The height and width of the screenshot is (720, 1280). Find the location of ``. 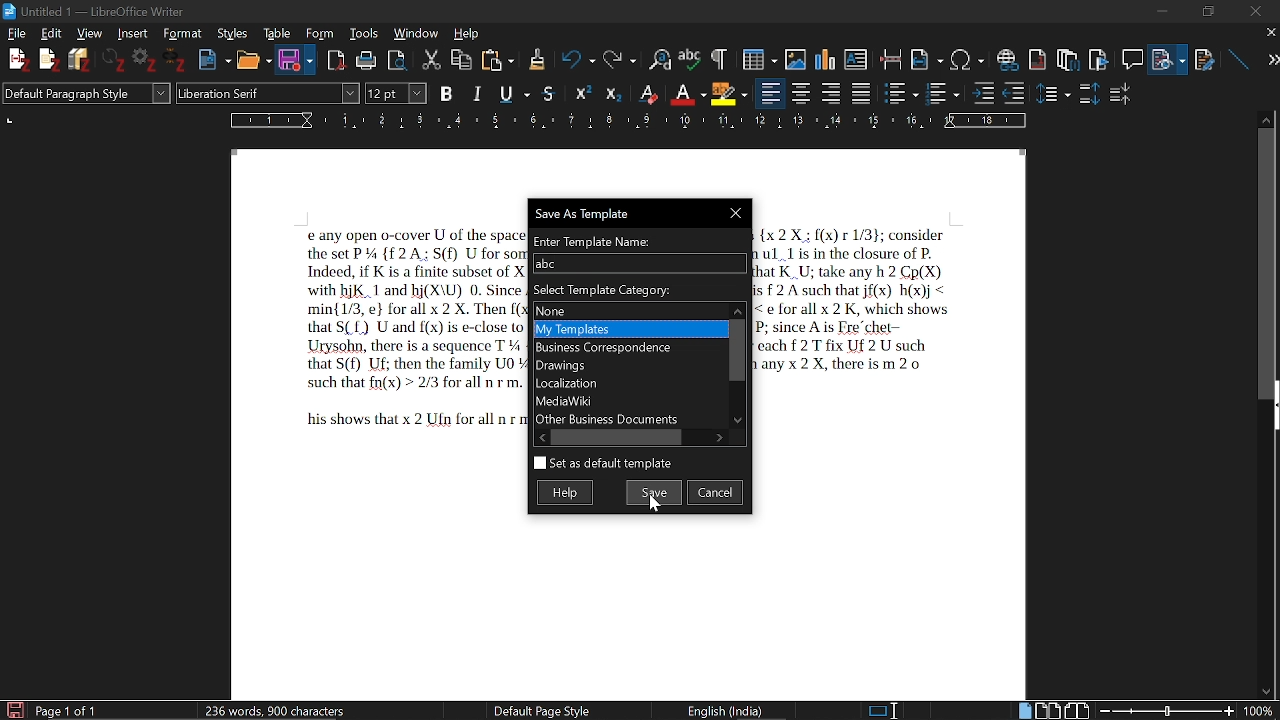

 is located at coordinates (613, 93).